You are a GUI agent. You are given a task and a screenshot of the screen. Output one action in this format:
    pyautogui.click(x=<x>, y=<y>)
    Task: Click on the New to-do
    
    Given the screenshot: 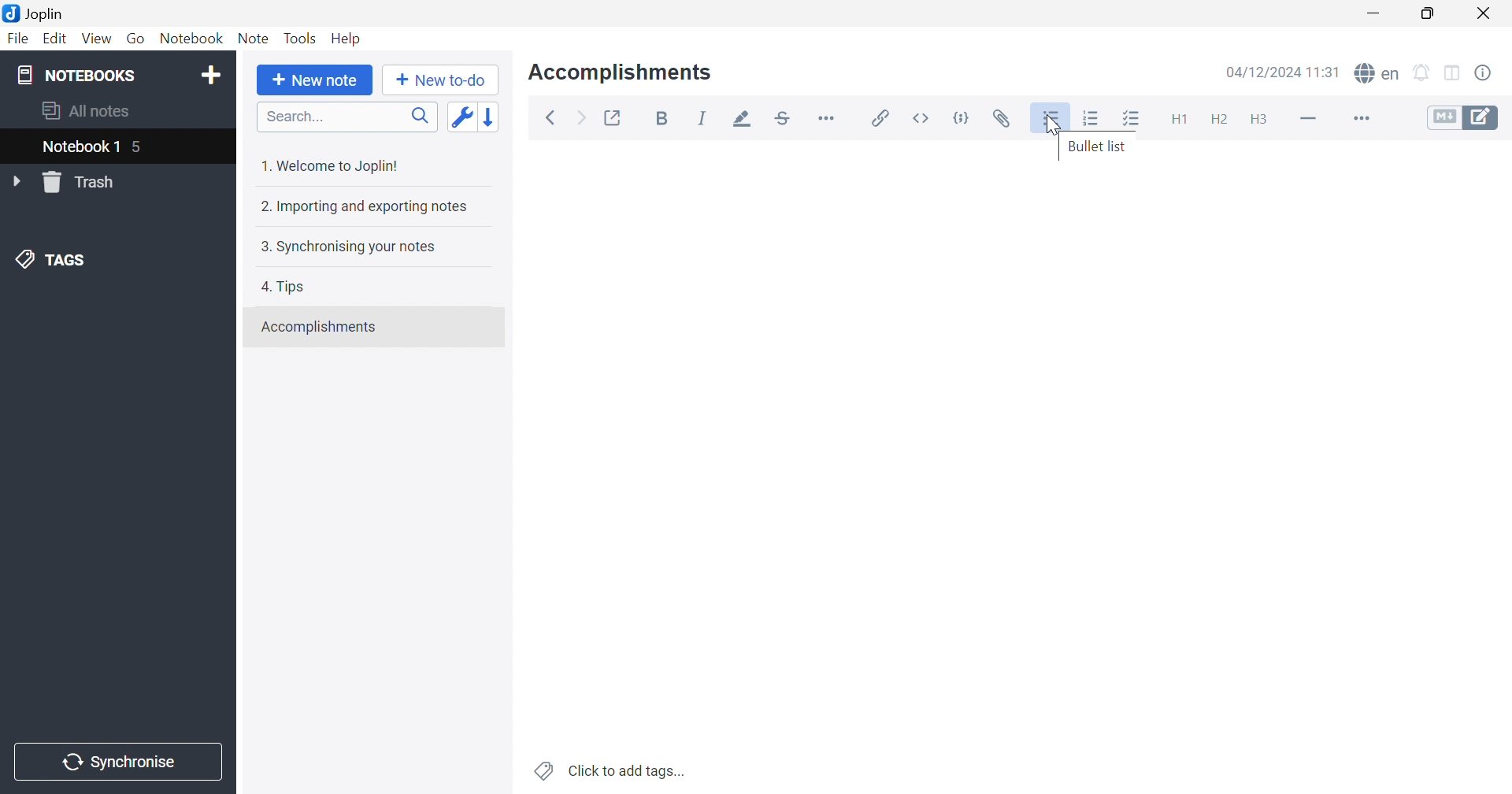 What is the action you would take?
    pyautogui.click(x=439, y=78)
    